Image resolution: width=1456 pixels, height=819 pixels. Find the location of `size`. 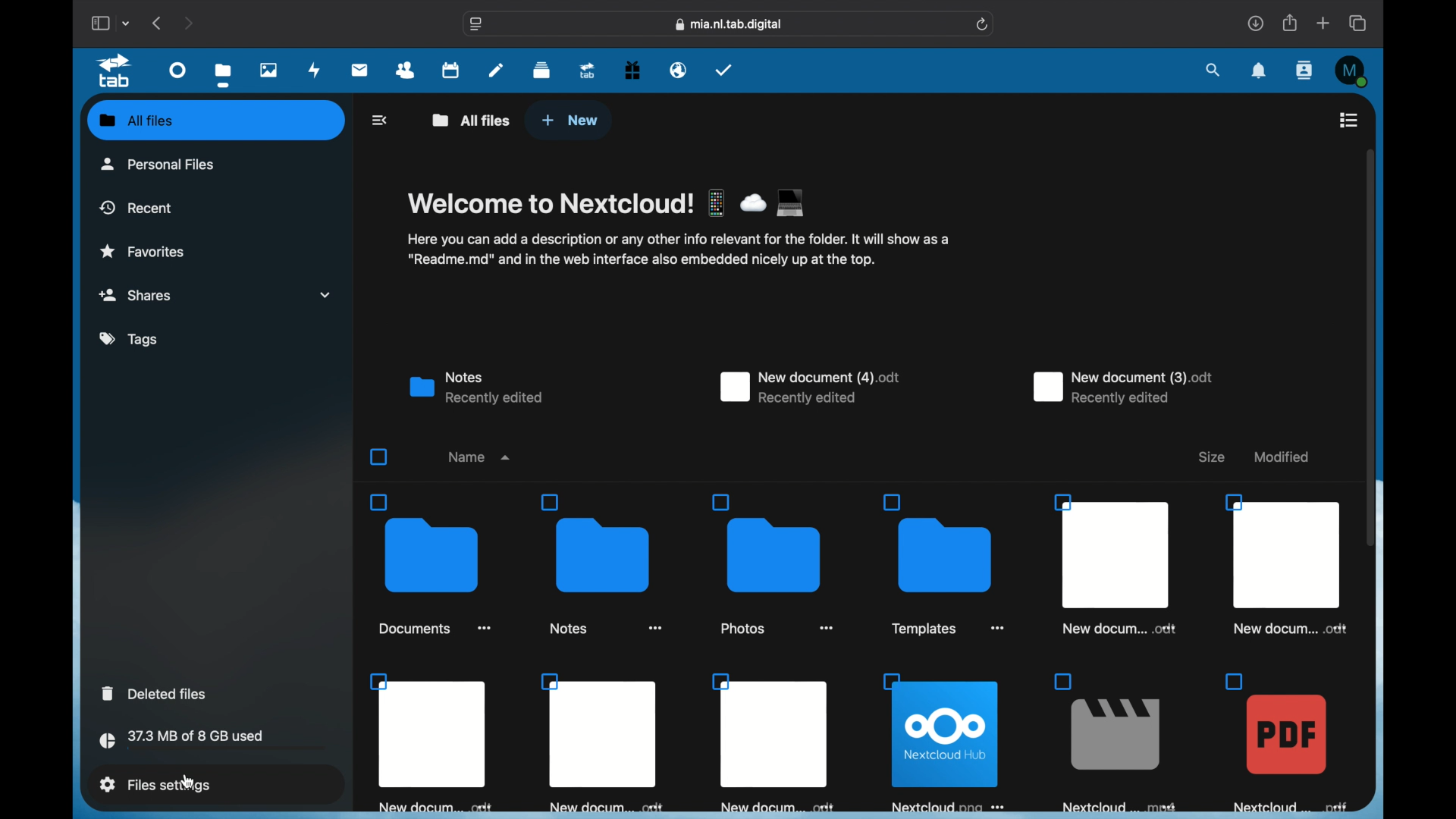

size is located at coordinates (1212, 457).